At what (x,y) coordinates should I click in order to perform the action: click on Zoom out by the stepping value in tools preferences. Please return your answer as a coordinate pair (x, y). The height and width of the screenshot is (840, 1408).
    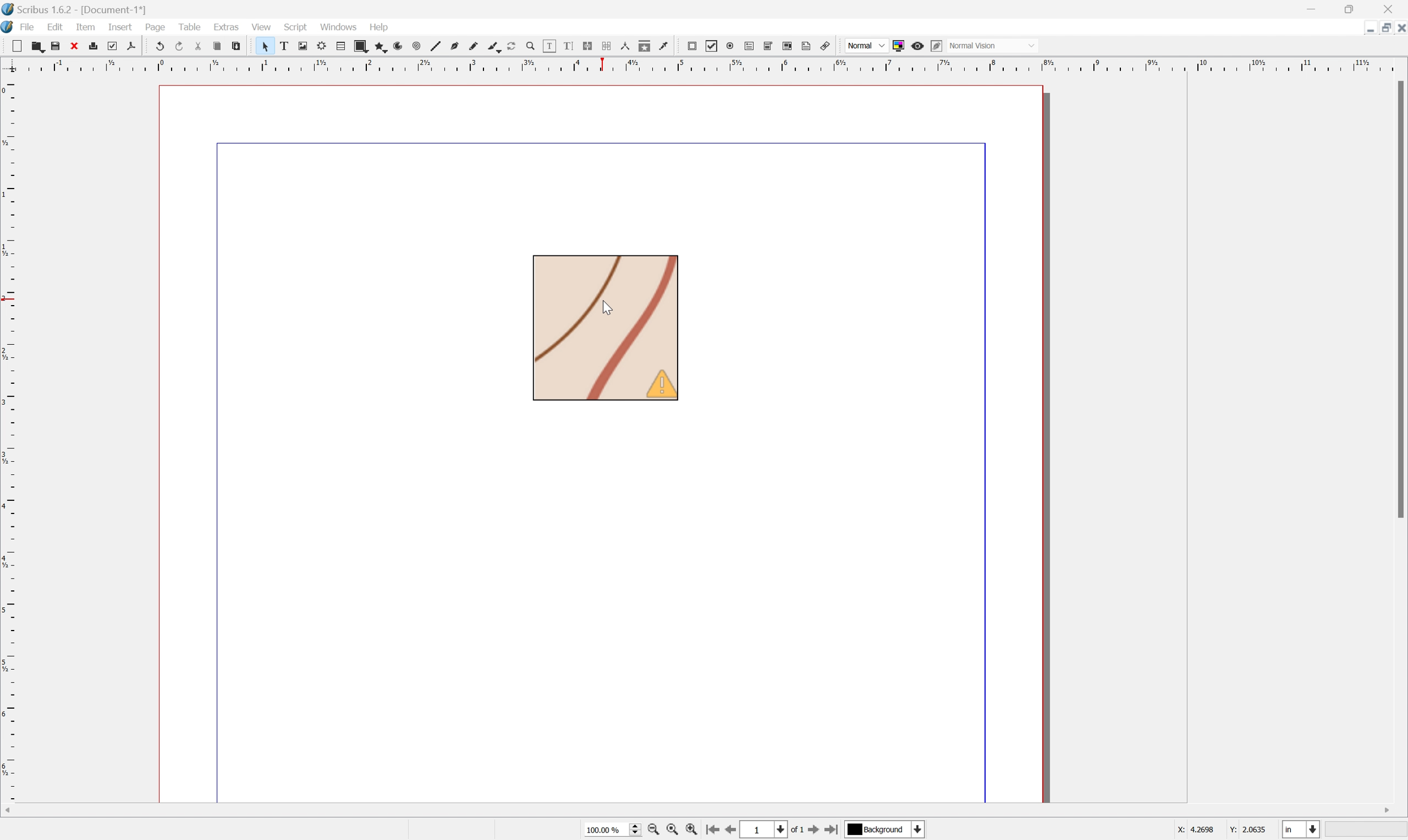
    Looking at the image, I should click on (653, 832).